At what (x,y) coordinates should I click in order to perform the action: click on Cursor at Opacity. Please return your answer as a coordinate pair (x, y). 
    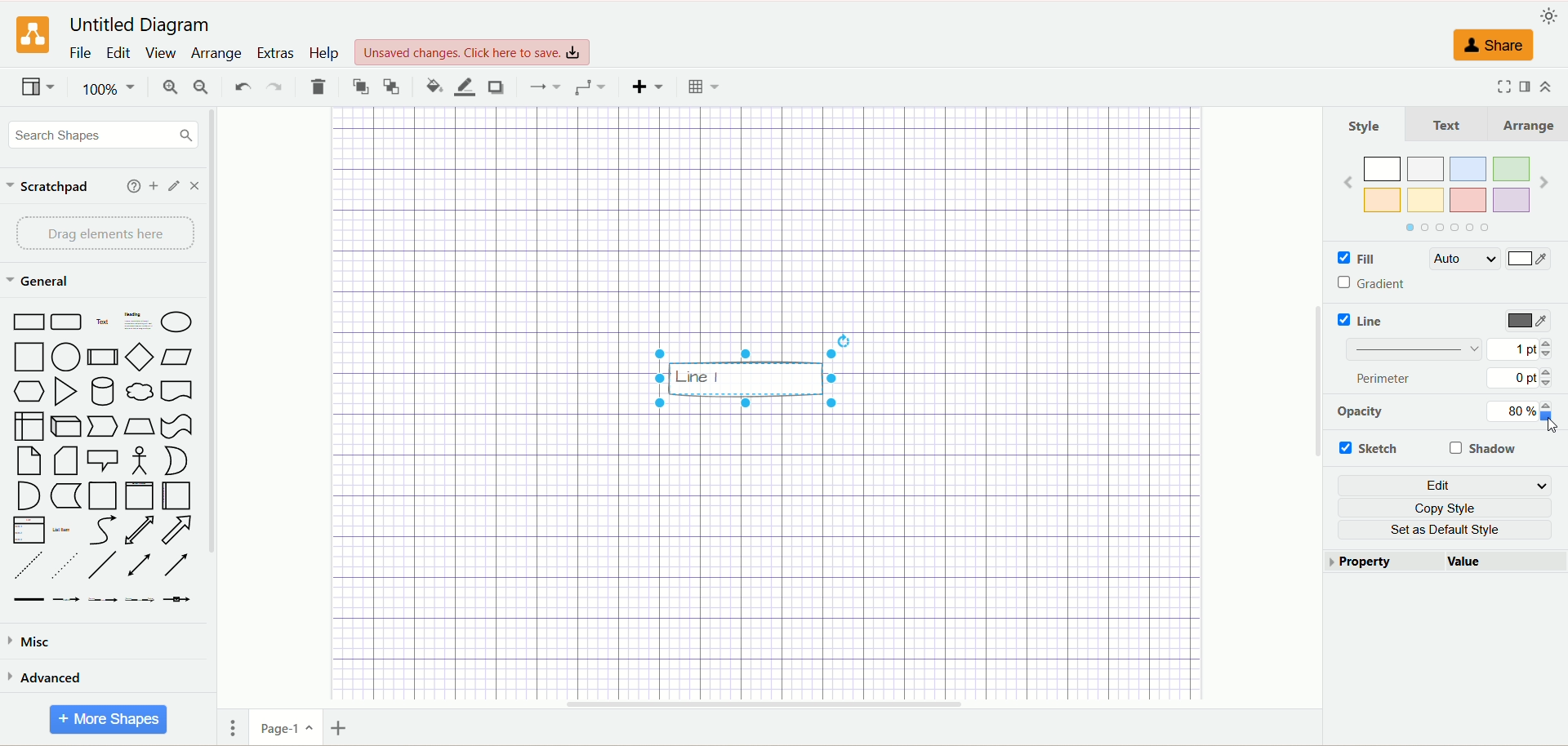
    Looking at the image, I should click on (1548, 426).